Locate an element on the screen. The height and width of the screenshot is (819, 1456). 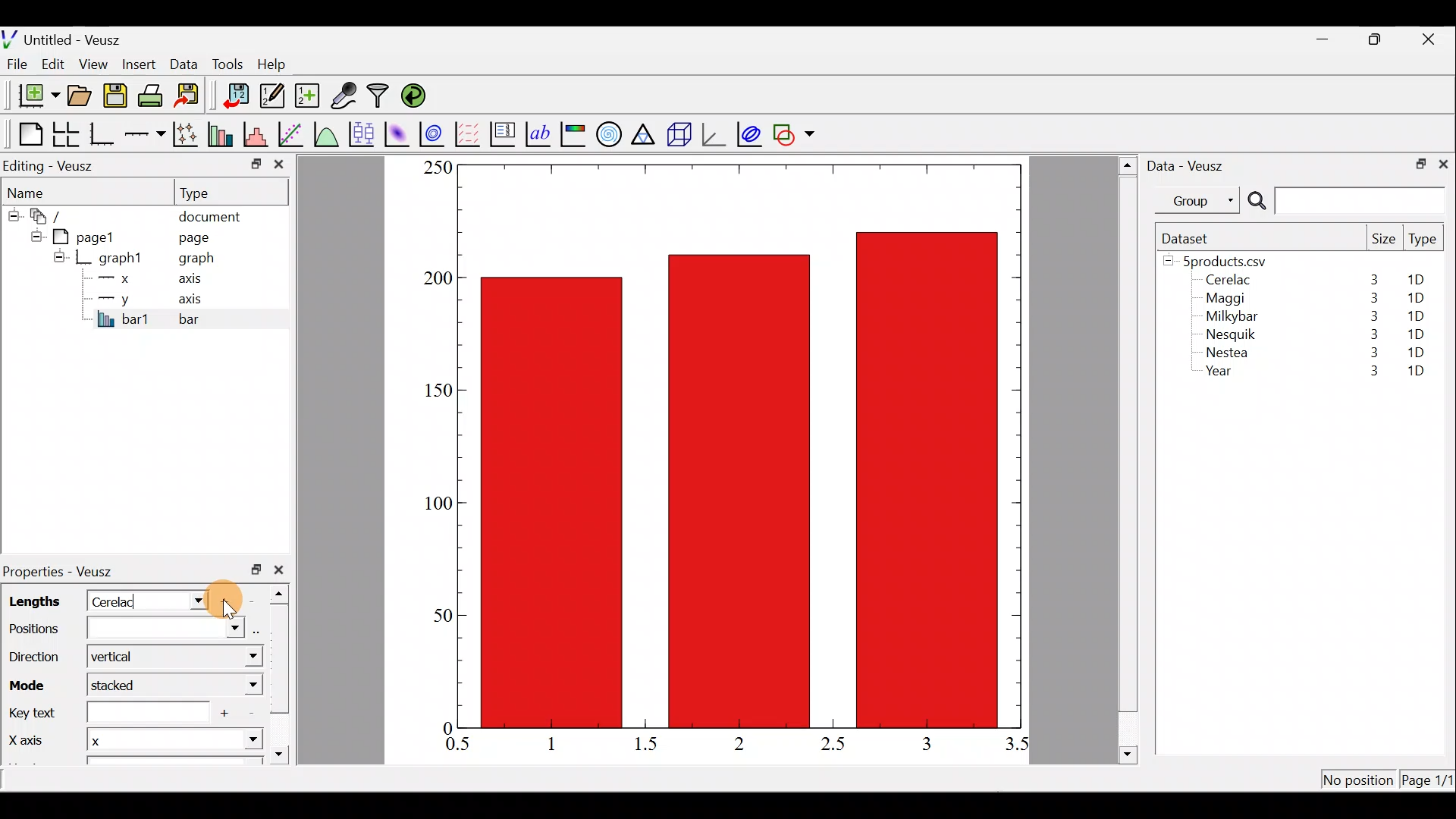
3 is located at coordinates (1373, 279).